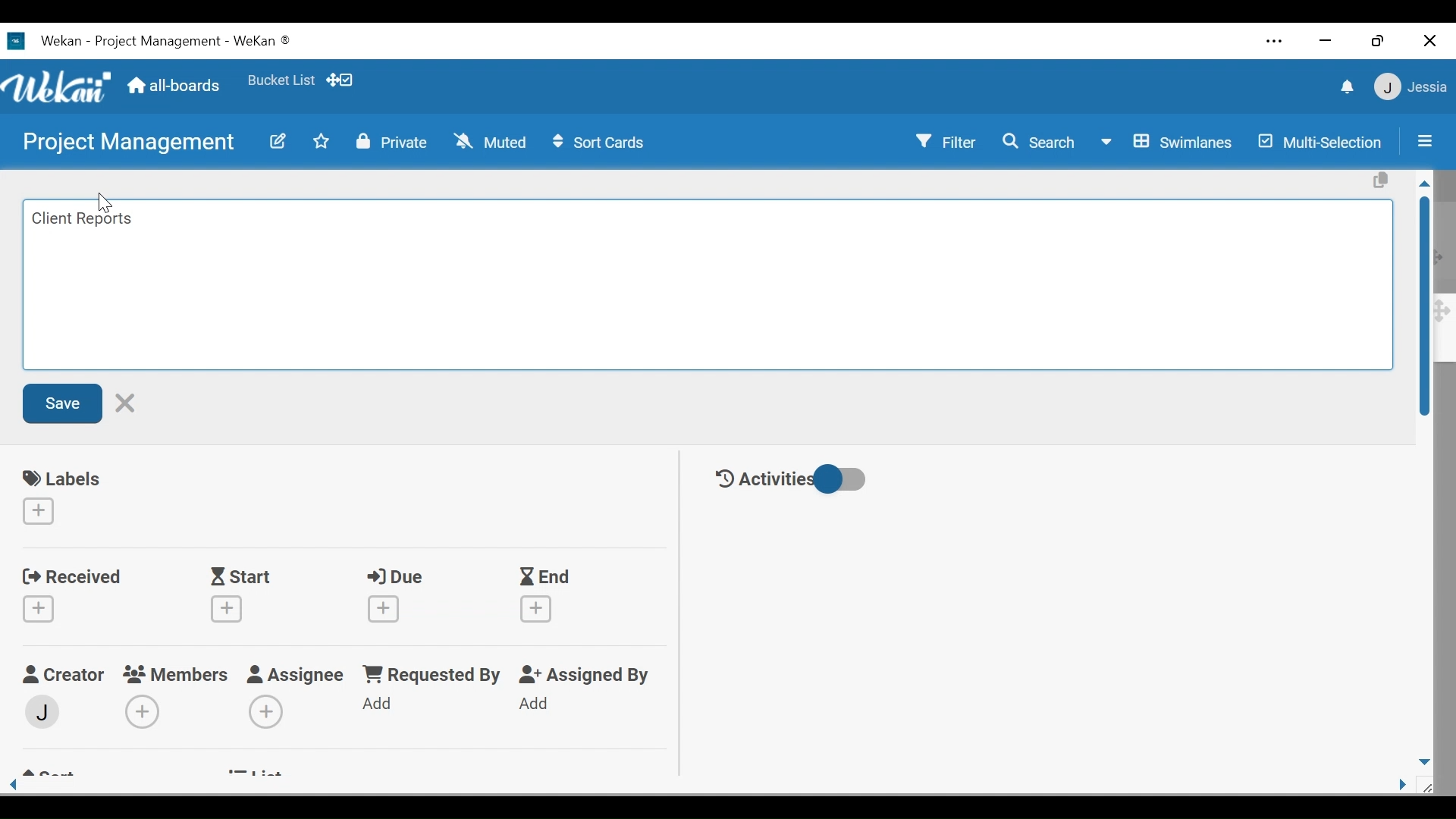 This screenshot has height=819, width=1456. Describe the element at coordinates (39, 609) in the screenshot. I see `Create Received date` at that location.